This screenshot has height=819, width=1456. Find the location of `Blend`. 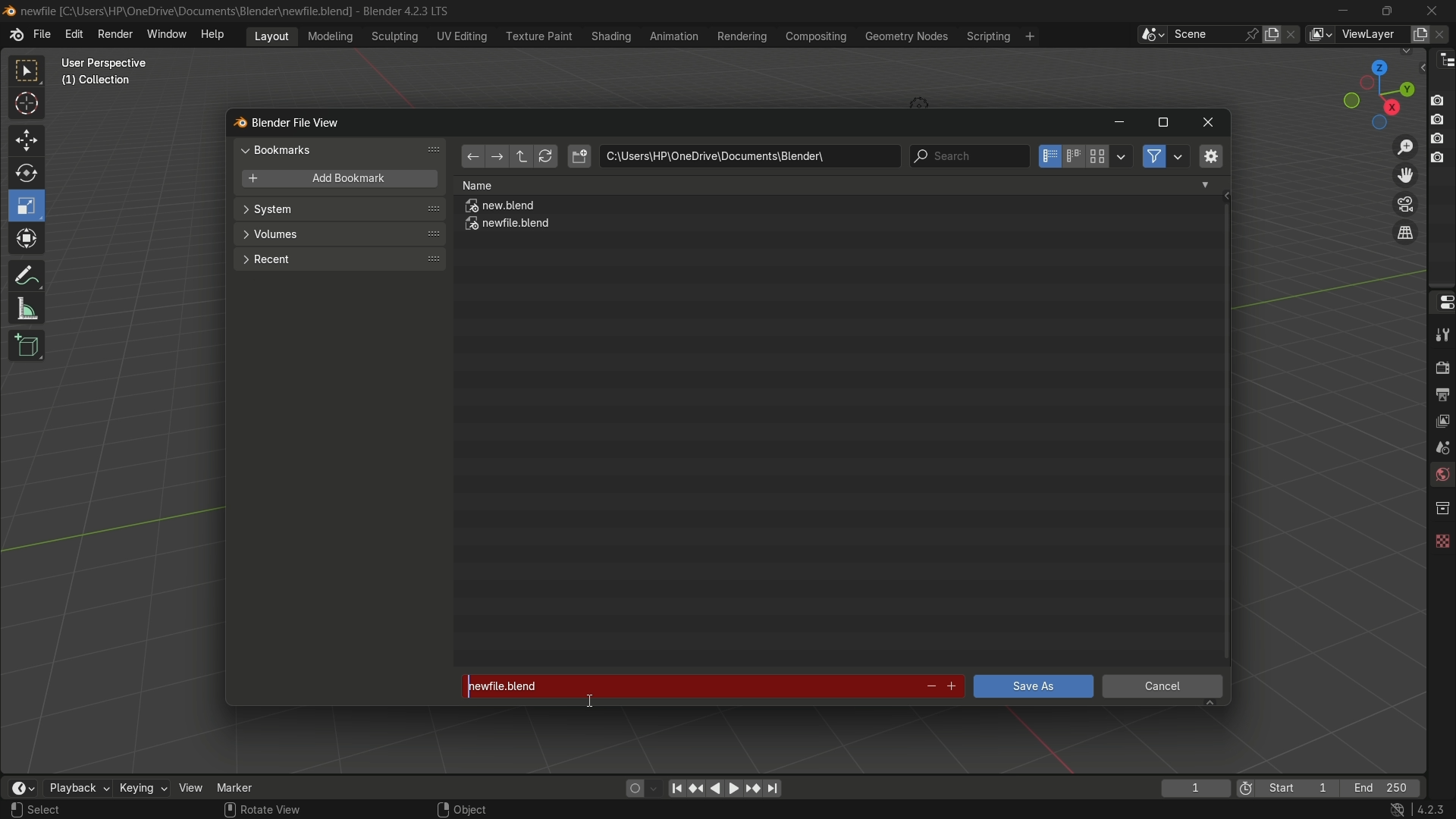

Blend is located at coordinates (9, 10).